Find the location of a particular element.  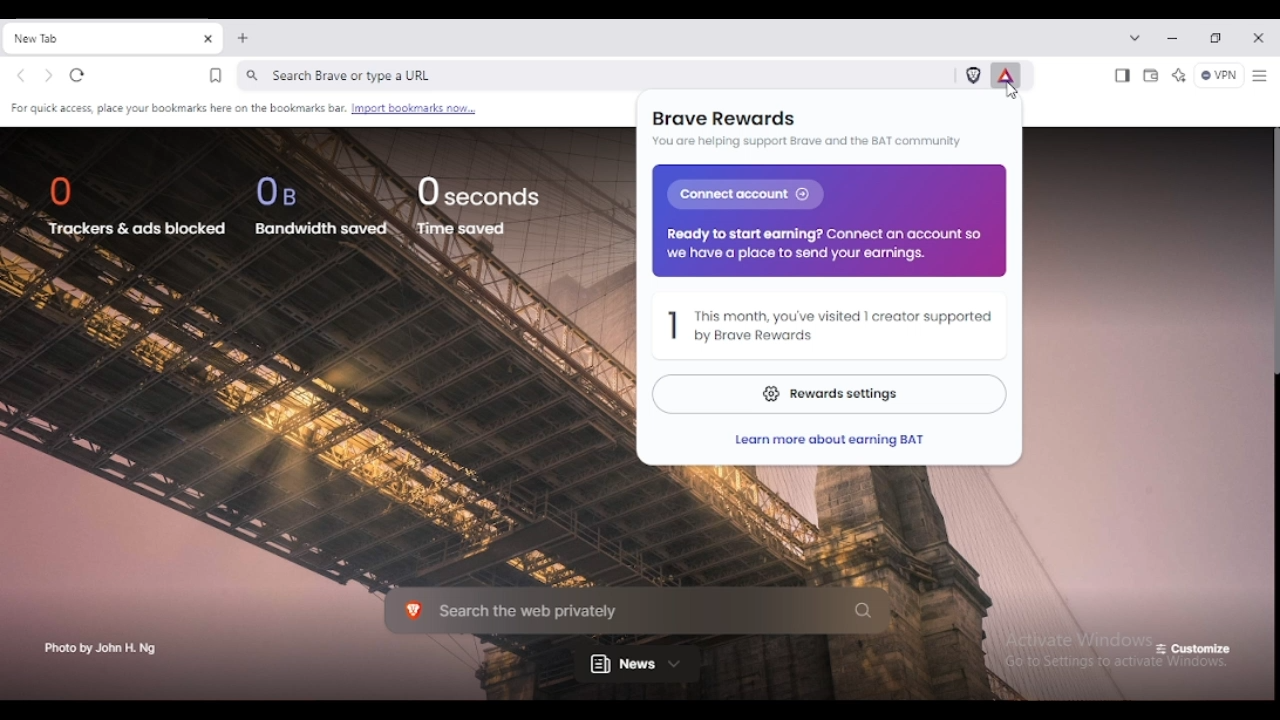

bookmark this tab is located at coordinates (216, 76).